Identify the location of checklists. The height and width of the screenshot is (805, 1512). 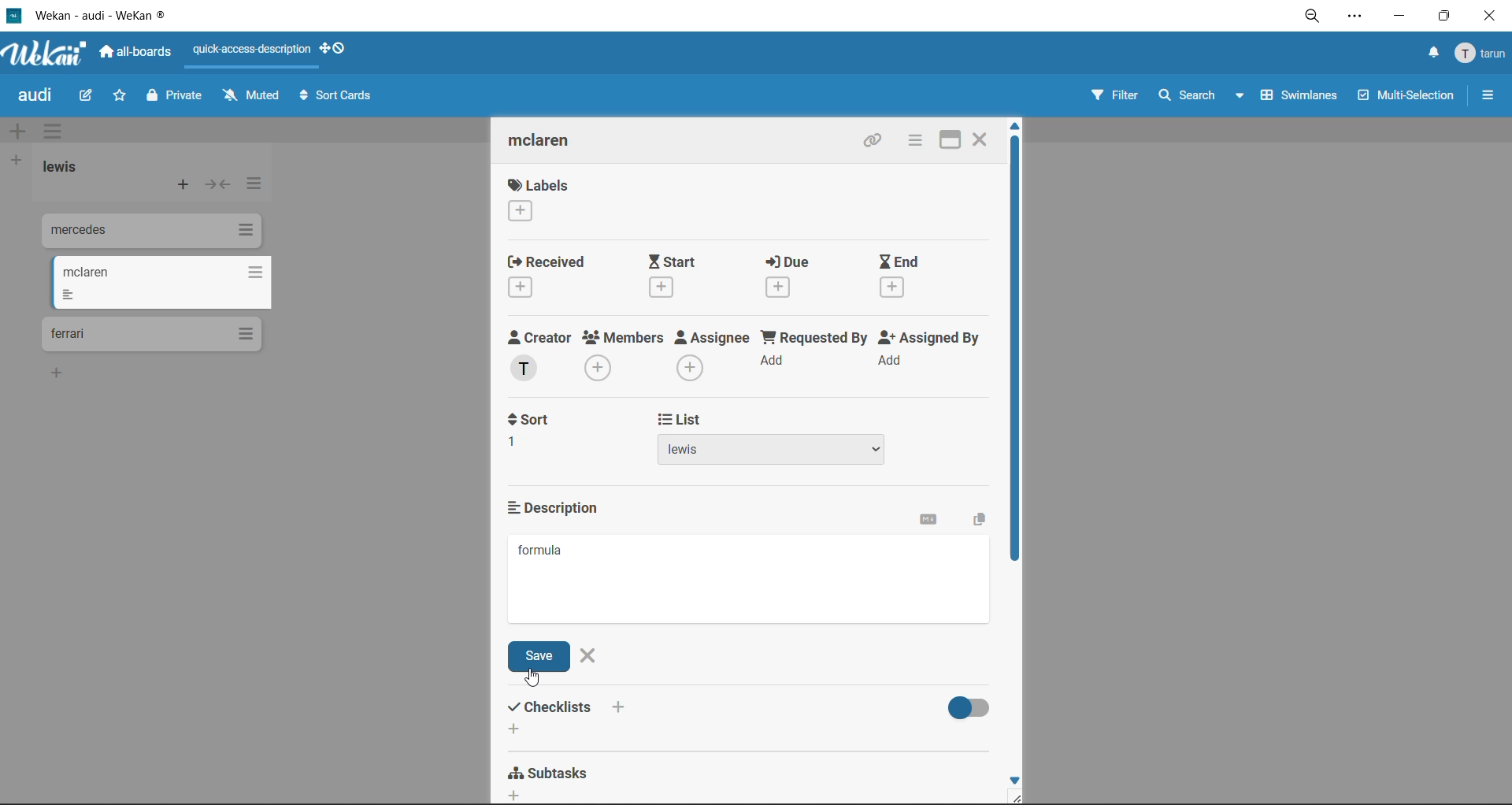
(571, 717).